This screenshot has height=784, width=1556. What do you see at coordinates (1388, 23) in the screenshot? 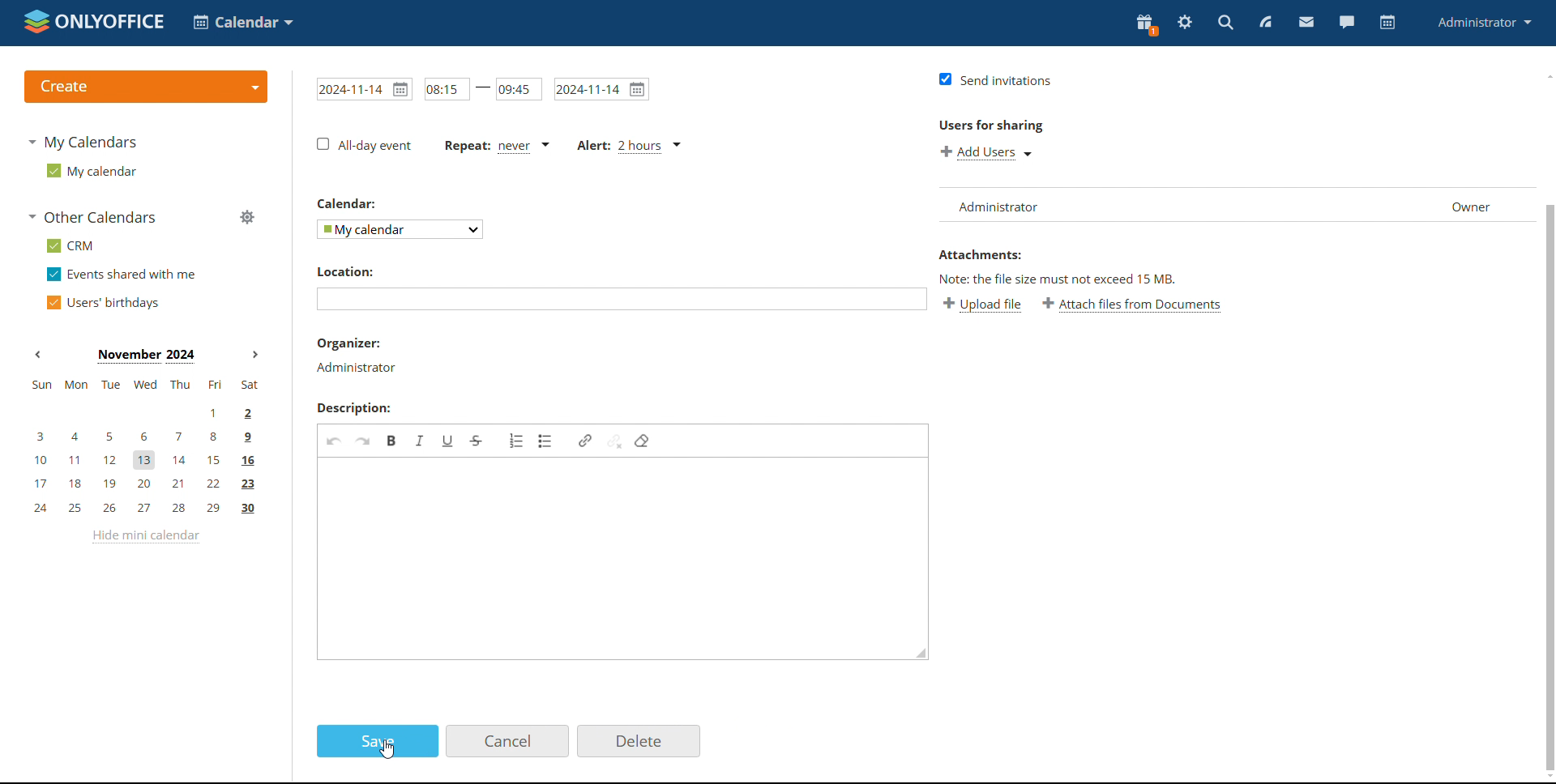
I see `calendar` at bounding box center [1388, 23].